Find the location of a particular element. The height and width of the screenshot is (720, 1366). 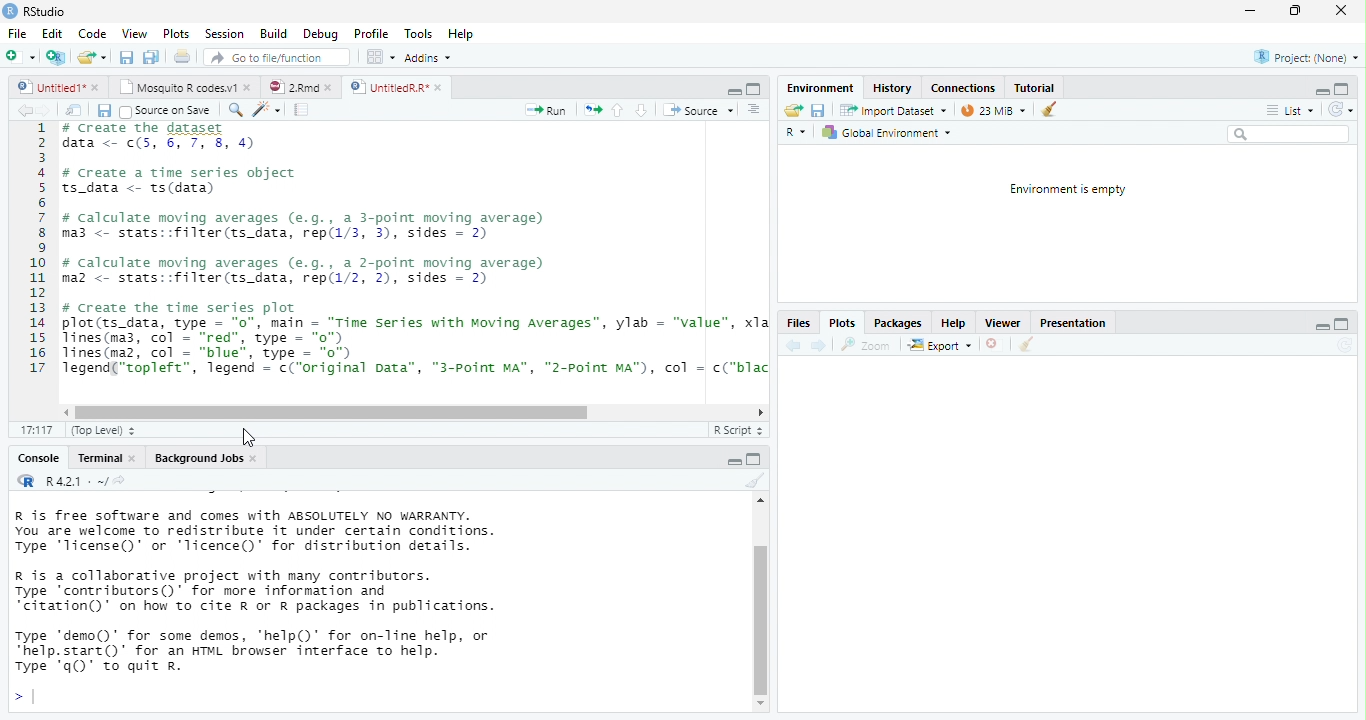

Hep is located at coordinates (460, 34).